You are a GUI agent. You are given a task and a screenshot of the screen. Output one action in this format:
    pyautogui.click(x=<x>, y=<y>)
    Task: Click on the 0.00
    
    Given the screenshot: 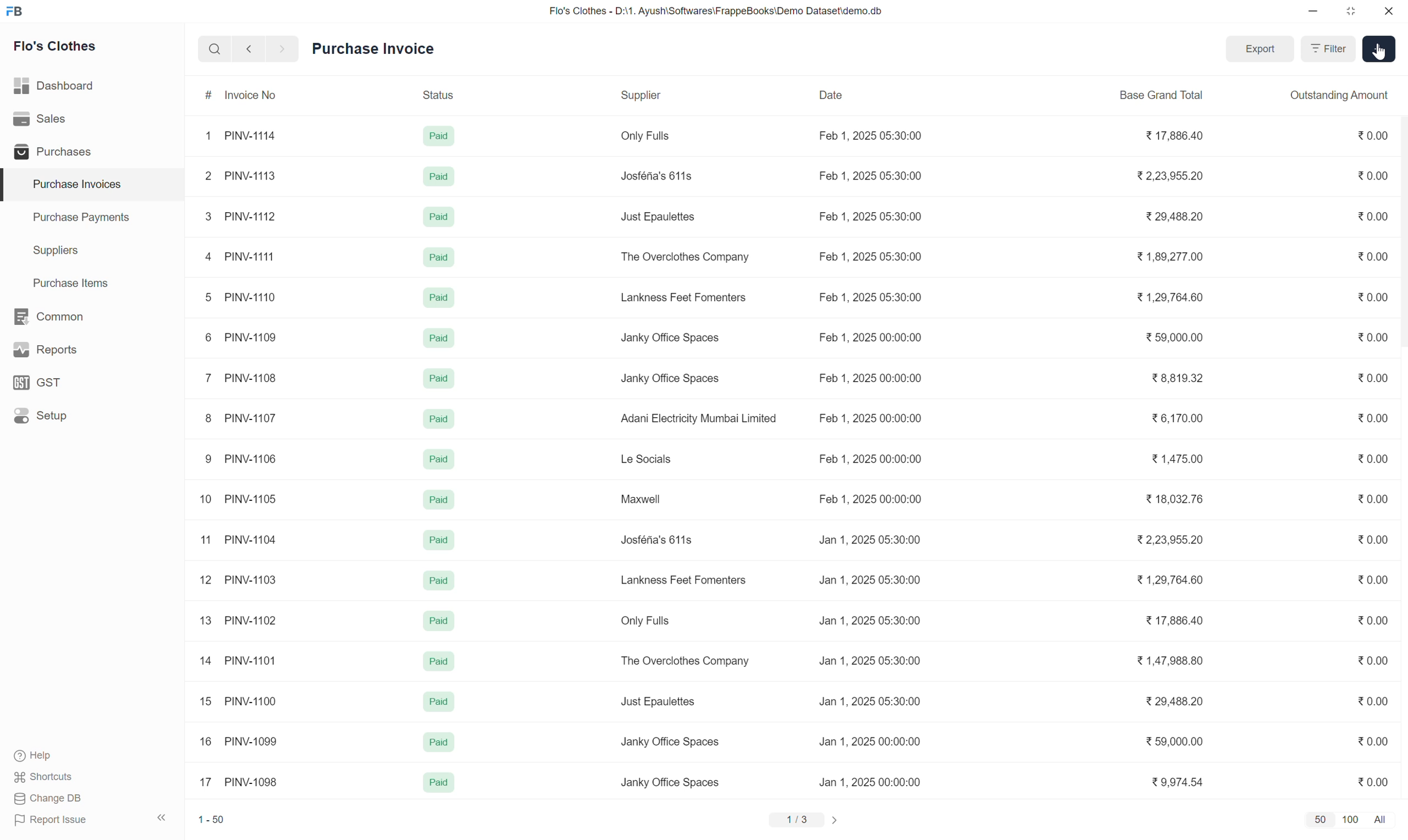 What is the action you would take?
    pyautogui.click(x=1372, y=539)
    